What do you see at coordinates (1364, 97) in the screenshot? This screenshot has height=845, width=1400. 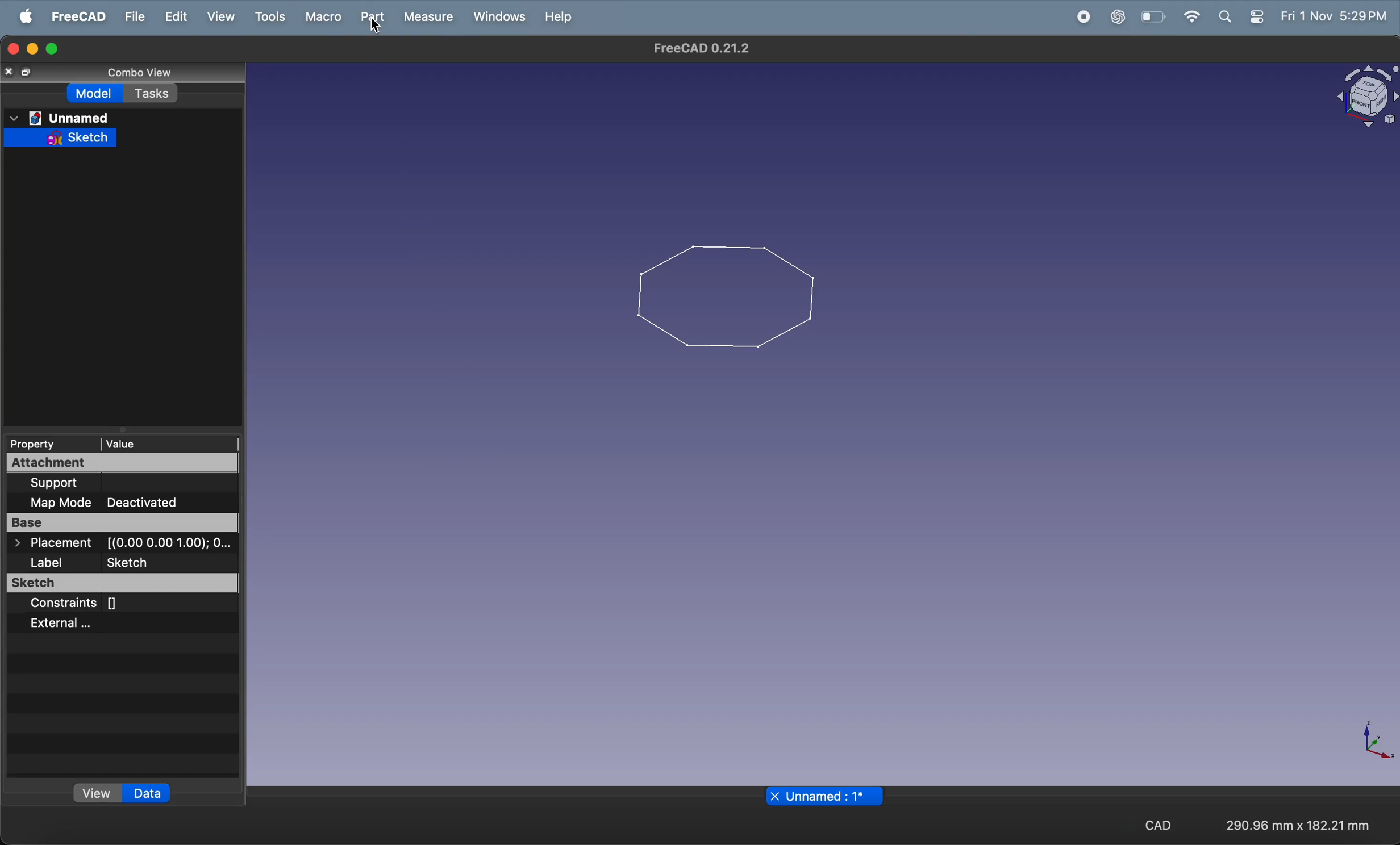 I see `vlock view` at bounding box center [1364, 97].